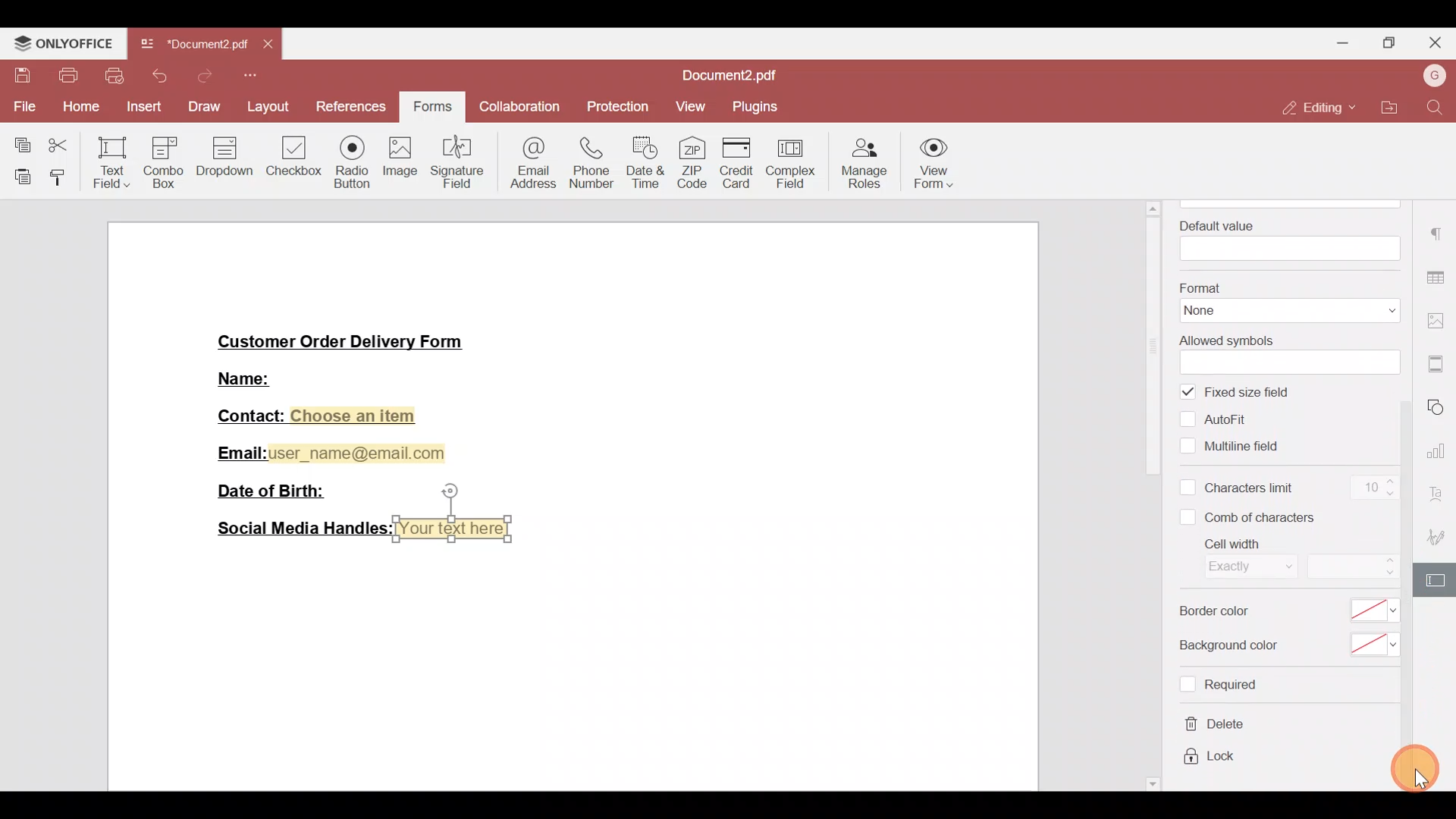  Describe the element at coordinates (1249, 393) in the screenshot. I see `Fixed size field` at that location.